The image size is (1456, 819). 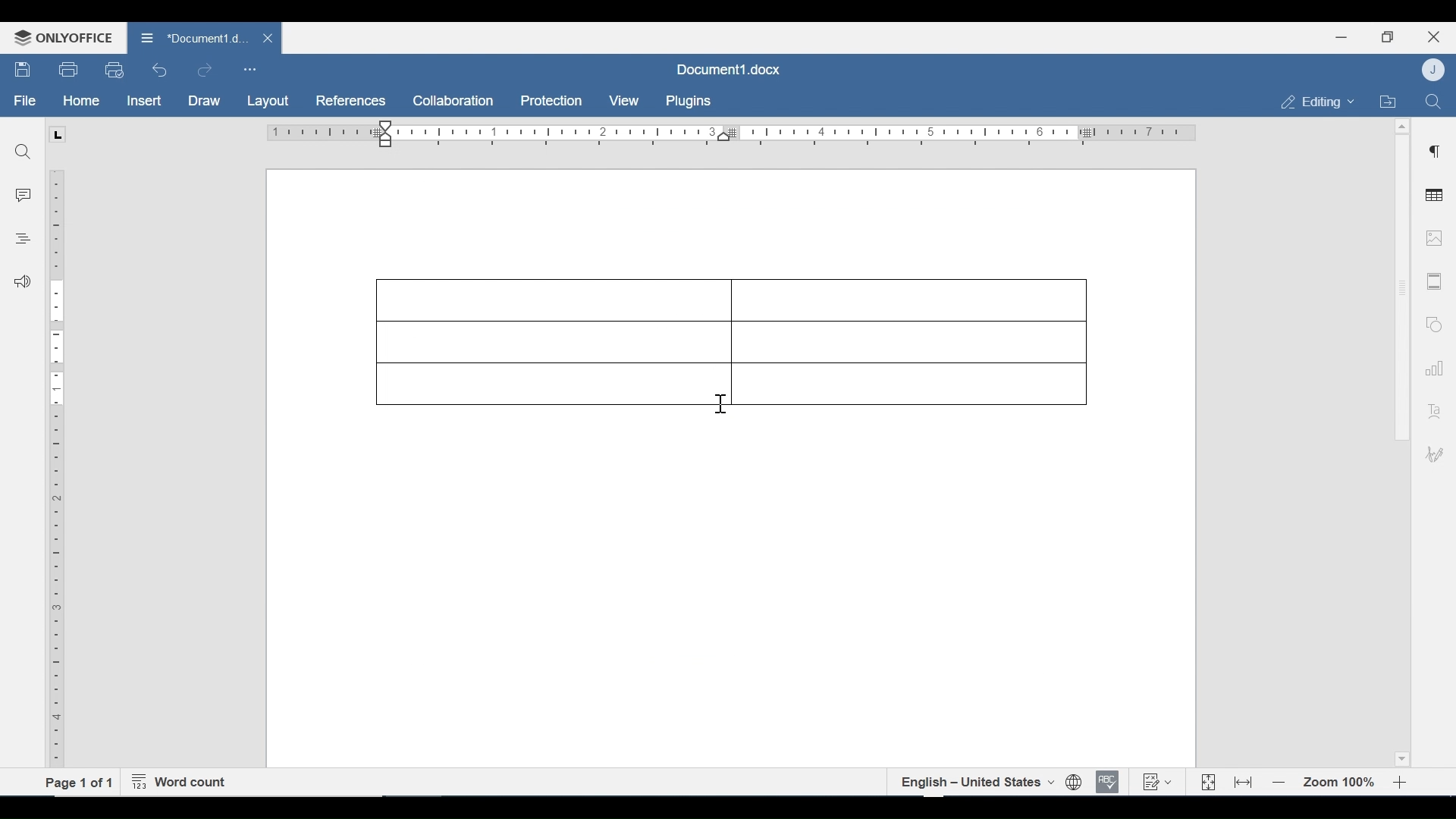 What do you see at coordinates (1432, 322) in the screenshot?
I see `Shapes` at bounding box center [1432, 322].